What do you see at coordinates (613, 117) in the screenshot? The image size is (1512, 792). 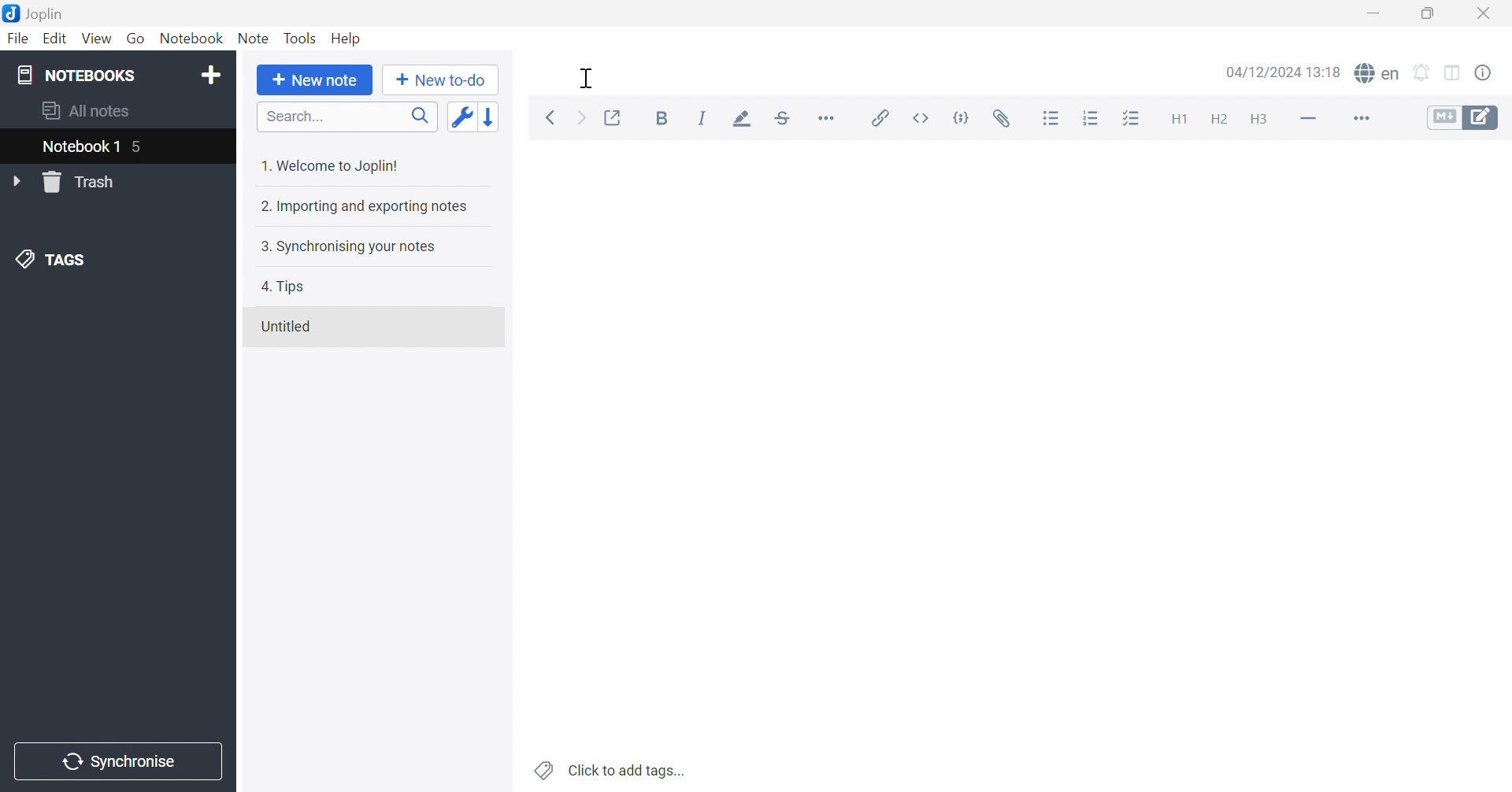 I see `Toggle external editing` at bounding box center [613, 117].